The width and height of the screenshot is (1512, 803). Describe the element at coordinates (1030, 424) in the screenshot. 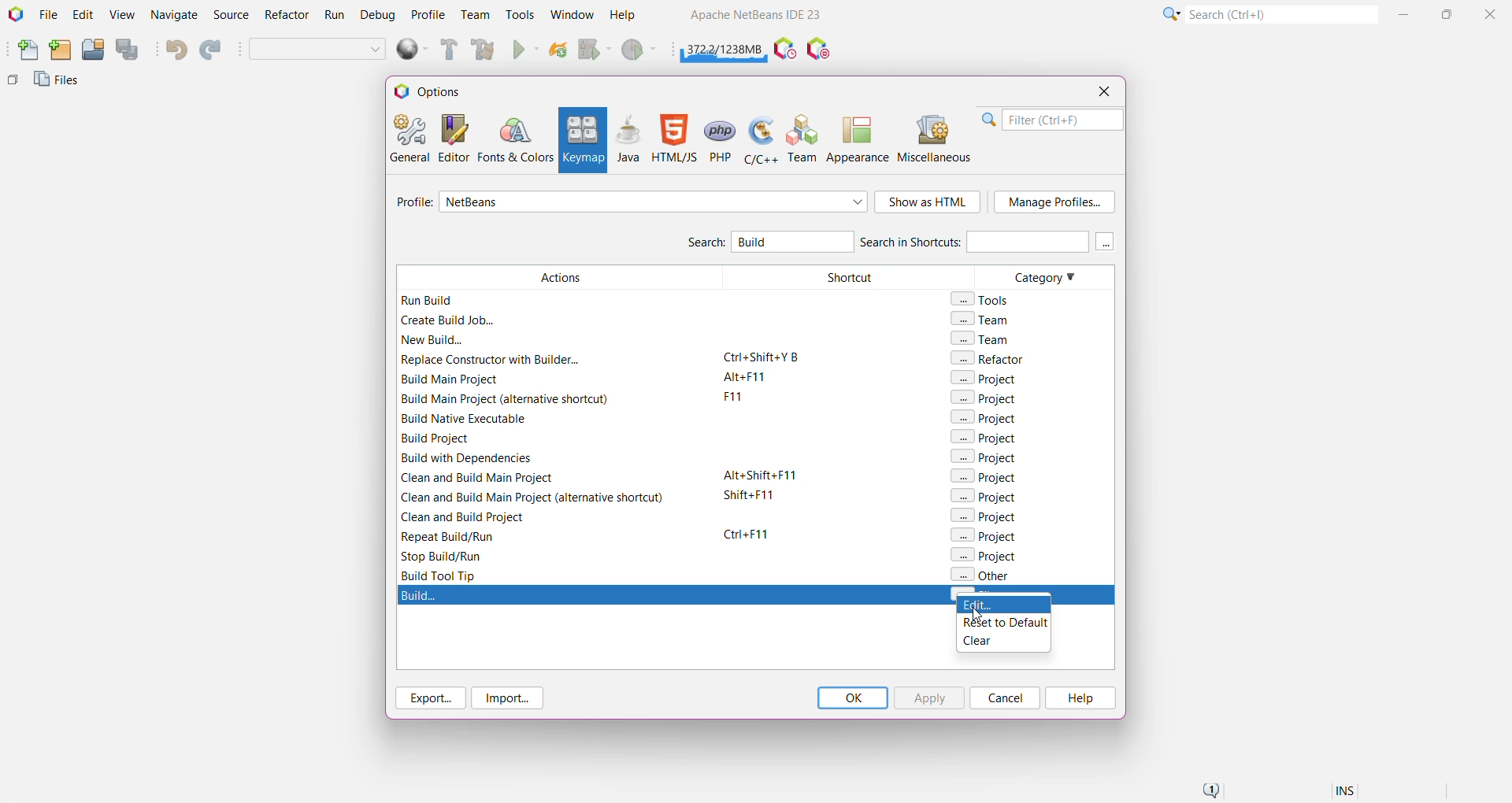

I see `Category` at that location.